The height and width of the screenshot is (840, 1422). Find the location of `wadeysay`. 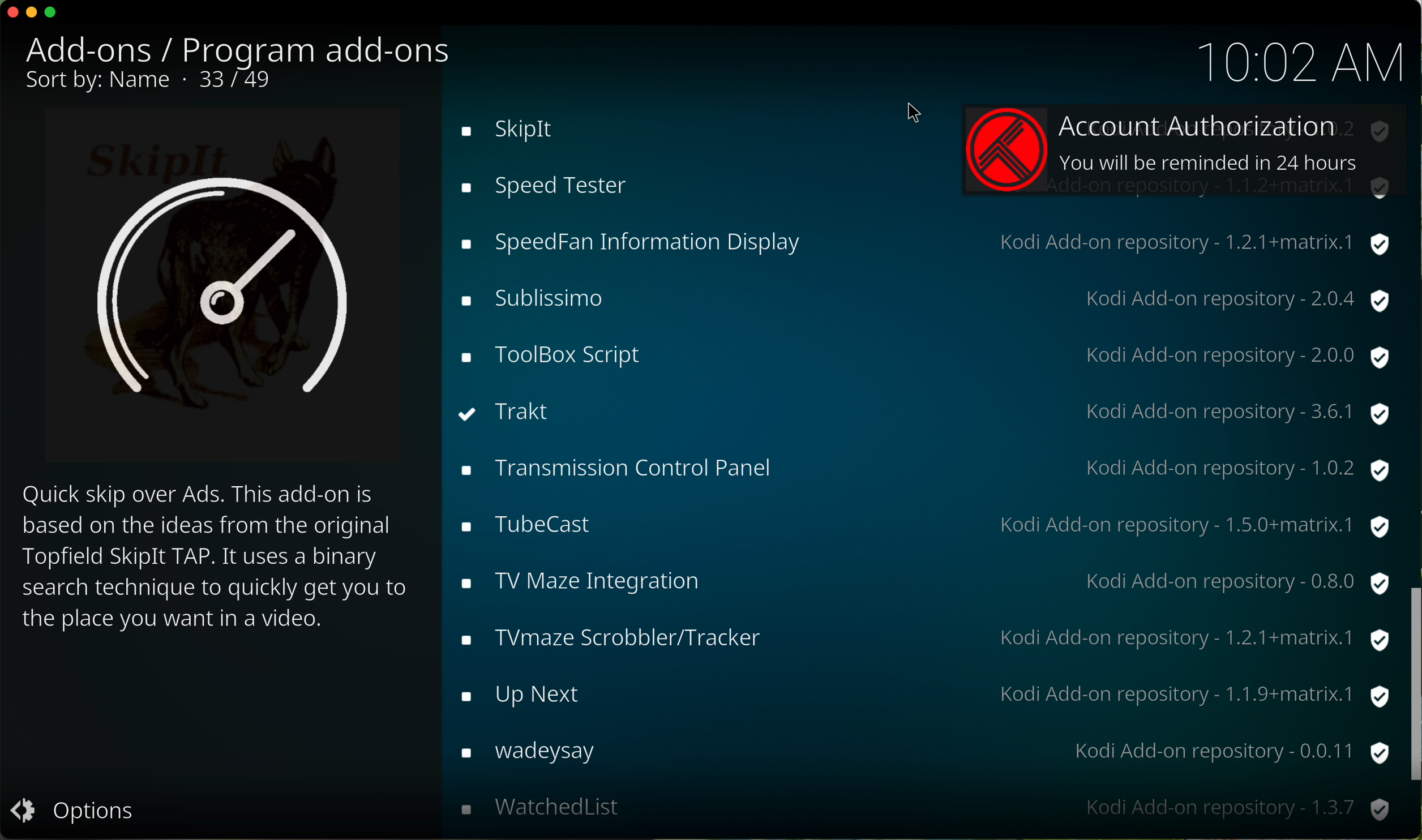

wadeysay is located at coordinates (922, 525).